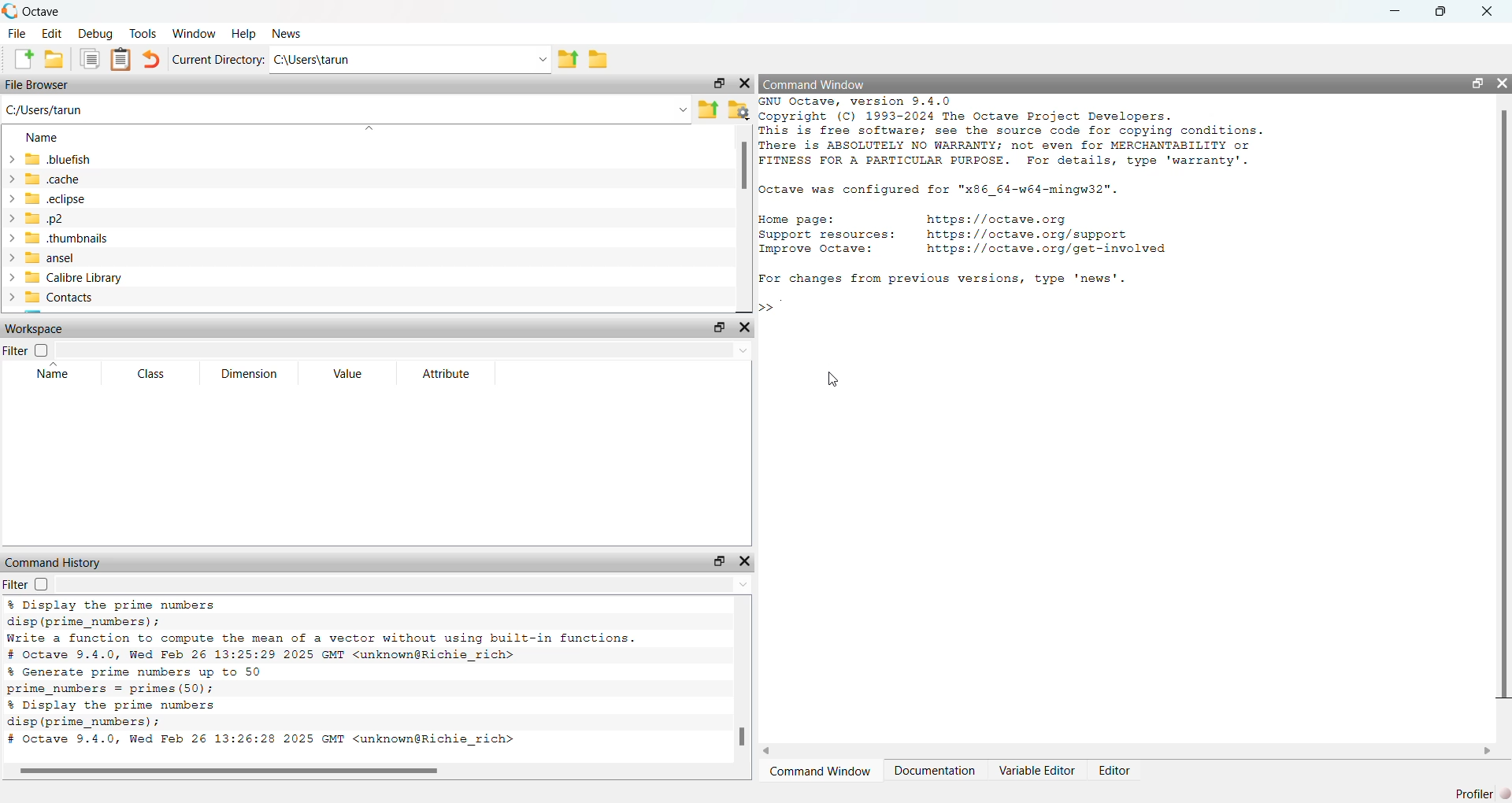 The width and height of the screenshot is (1512, 803). I want to click on Name, so click(55, 372).